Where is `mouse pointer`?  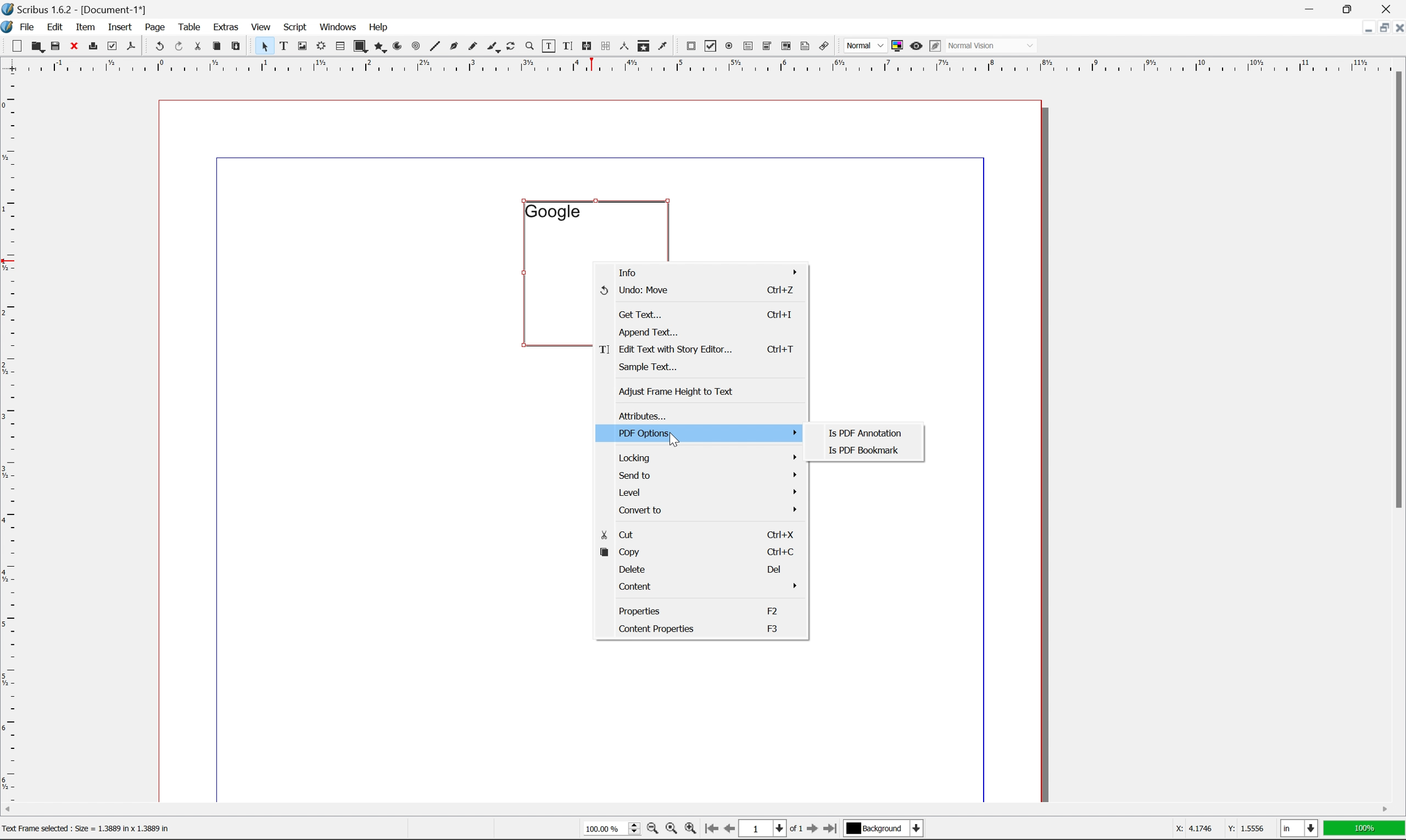 mouse pointer is located at coordinates (673, 440).